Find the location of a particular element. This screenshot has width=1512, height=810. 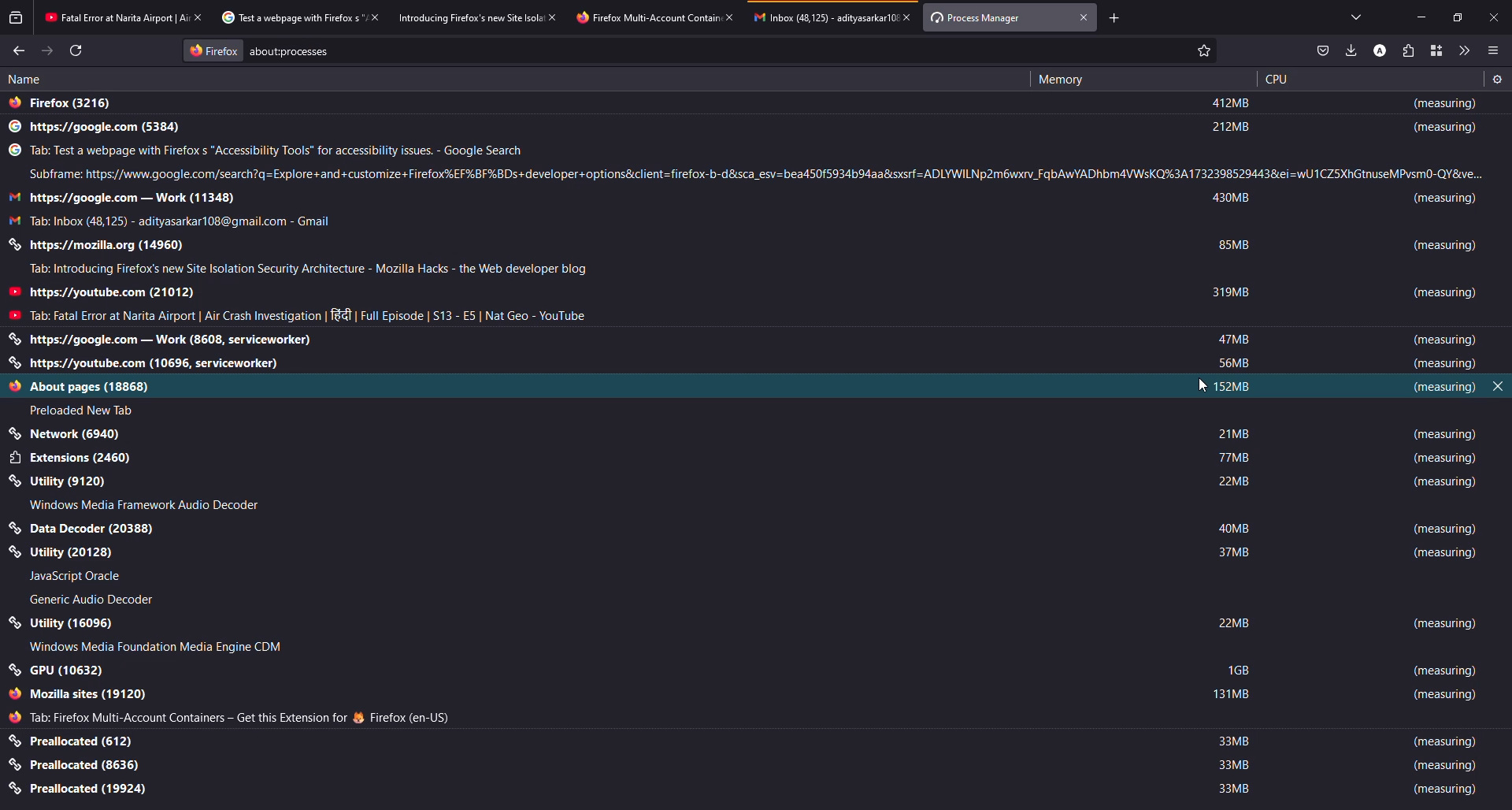

preallocated (8636) is located at coordinates (76, 765).